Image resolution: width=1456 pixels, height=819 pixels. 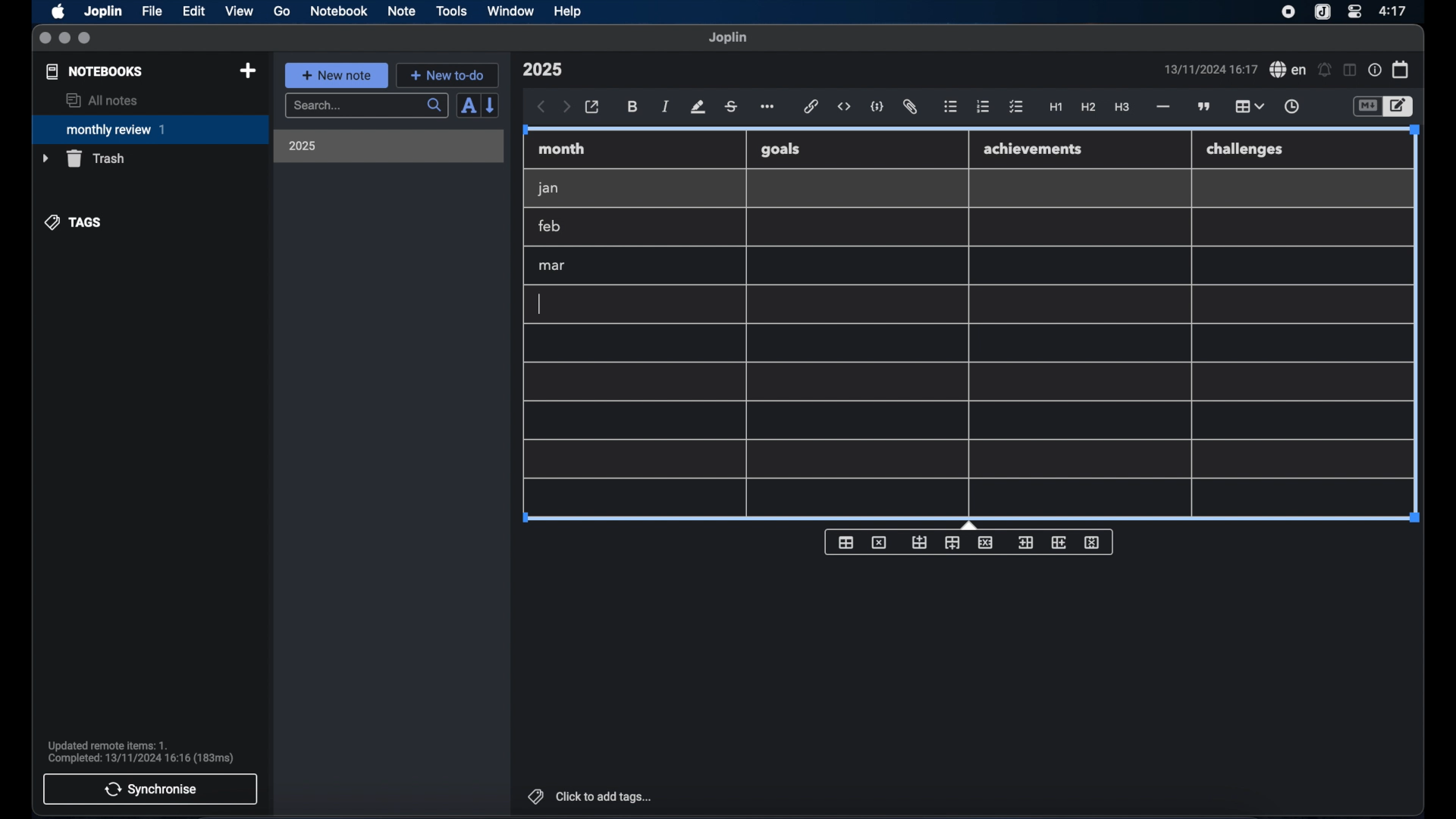 I want to click on file, so click(x=152, y=11).